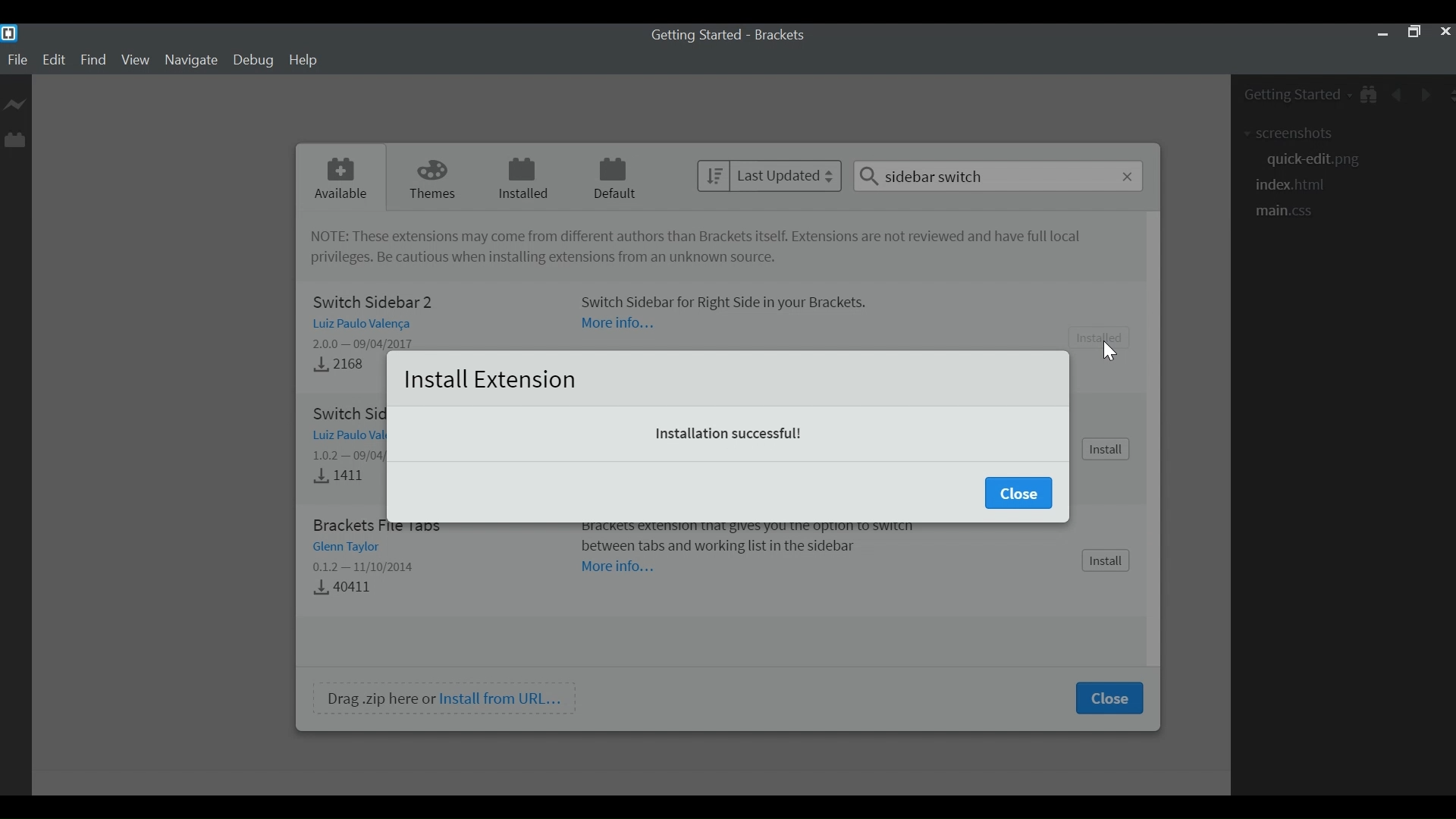  Describe the element at coordinates (369, 324) in the screenshot. I see `Author` at that location.